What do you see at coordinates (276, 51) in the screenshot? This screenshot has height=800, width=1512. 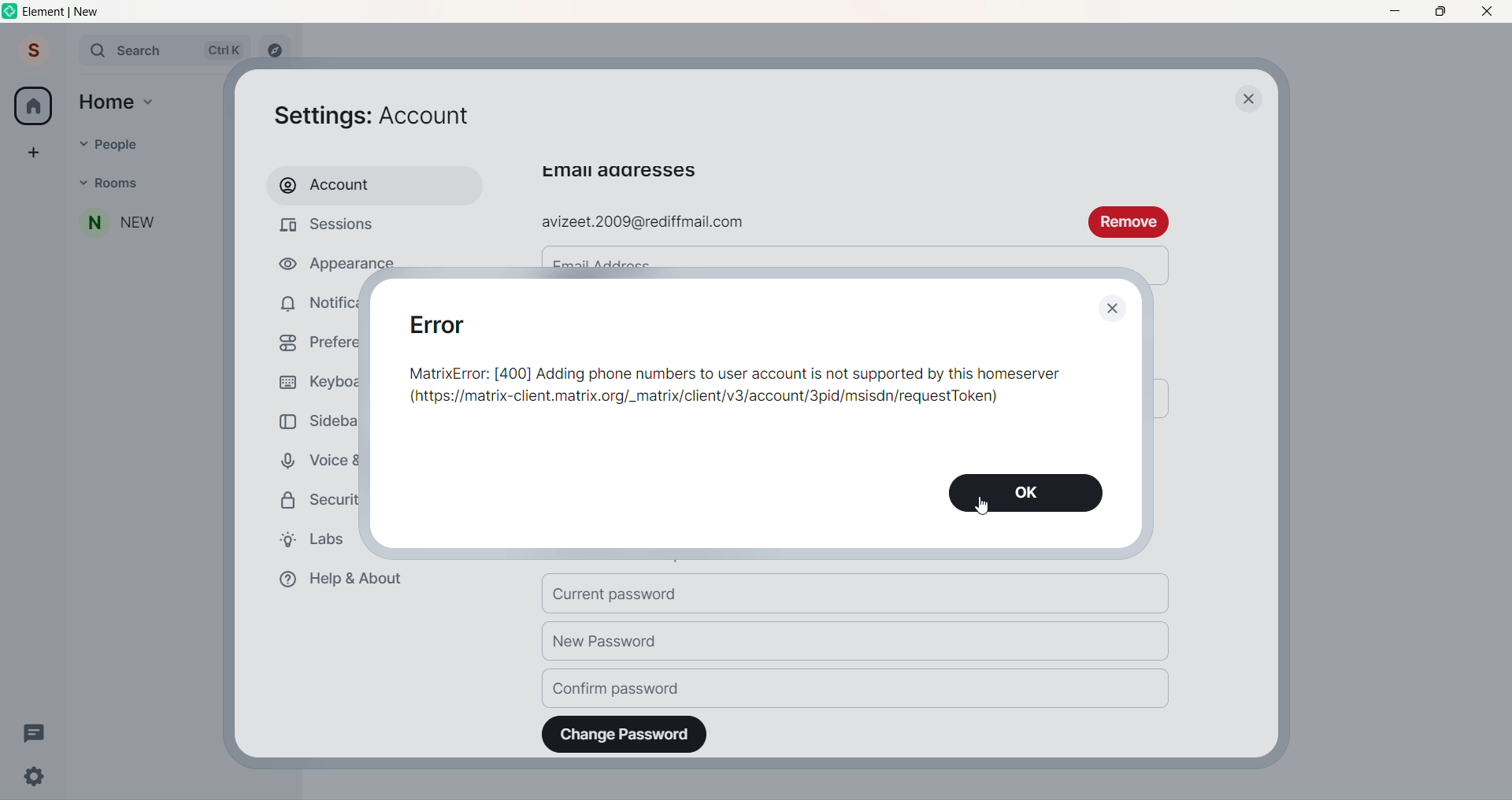 I see `Explore rooms` at bounding box center [276, 51].